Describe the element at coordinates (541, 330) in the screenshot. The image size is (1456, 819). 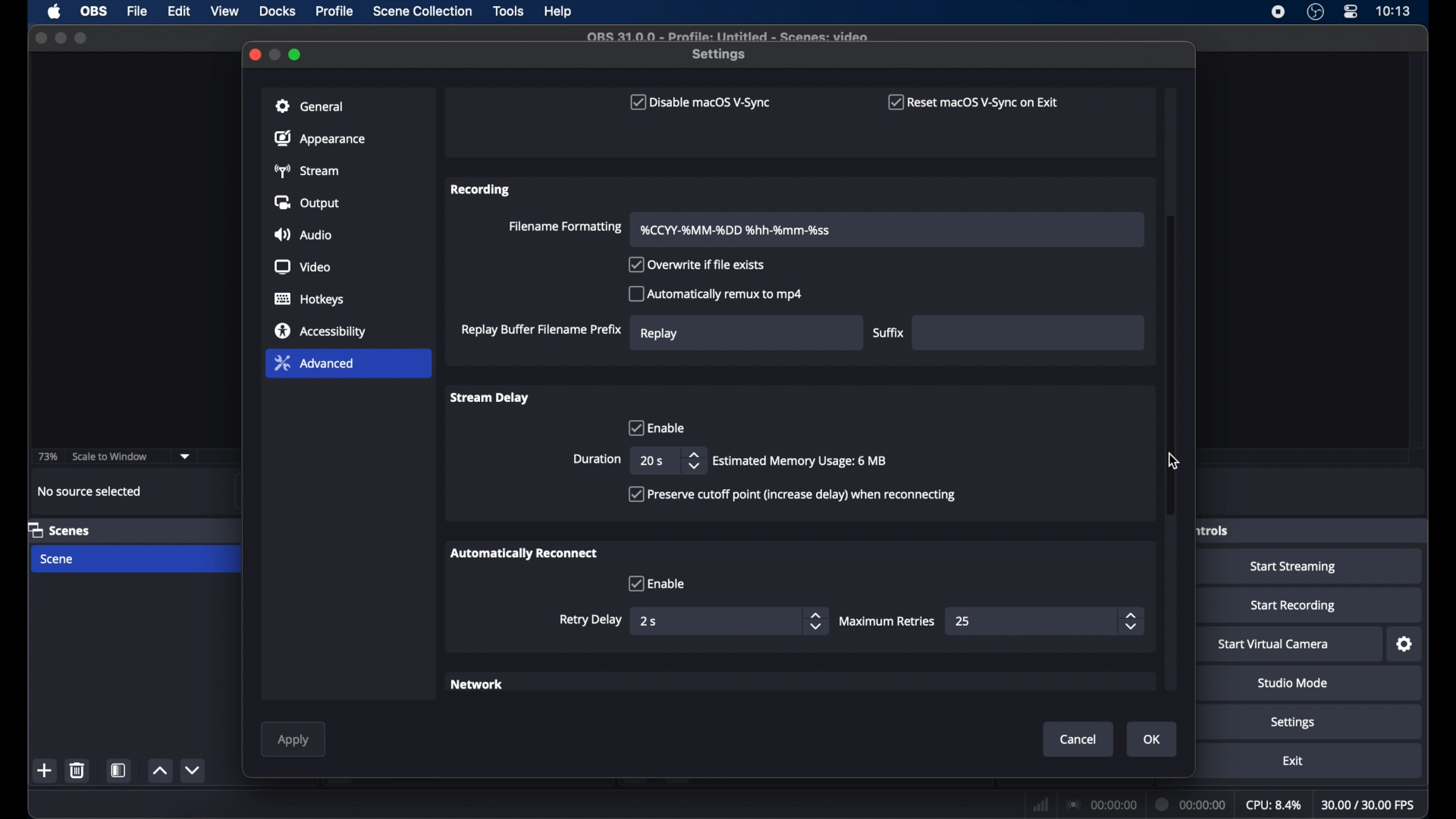
I see `replay buffer filename prefix` at that location.